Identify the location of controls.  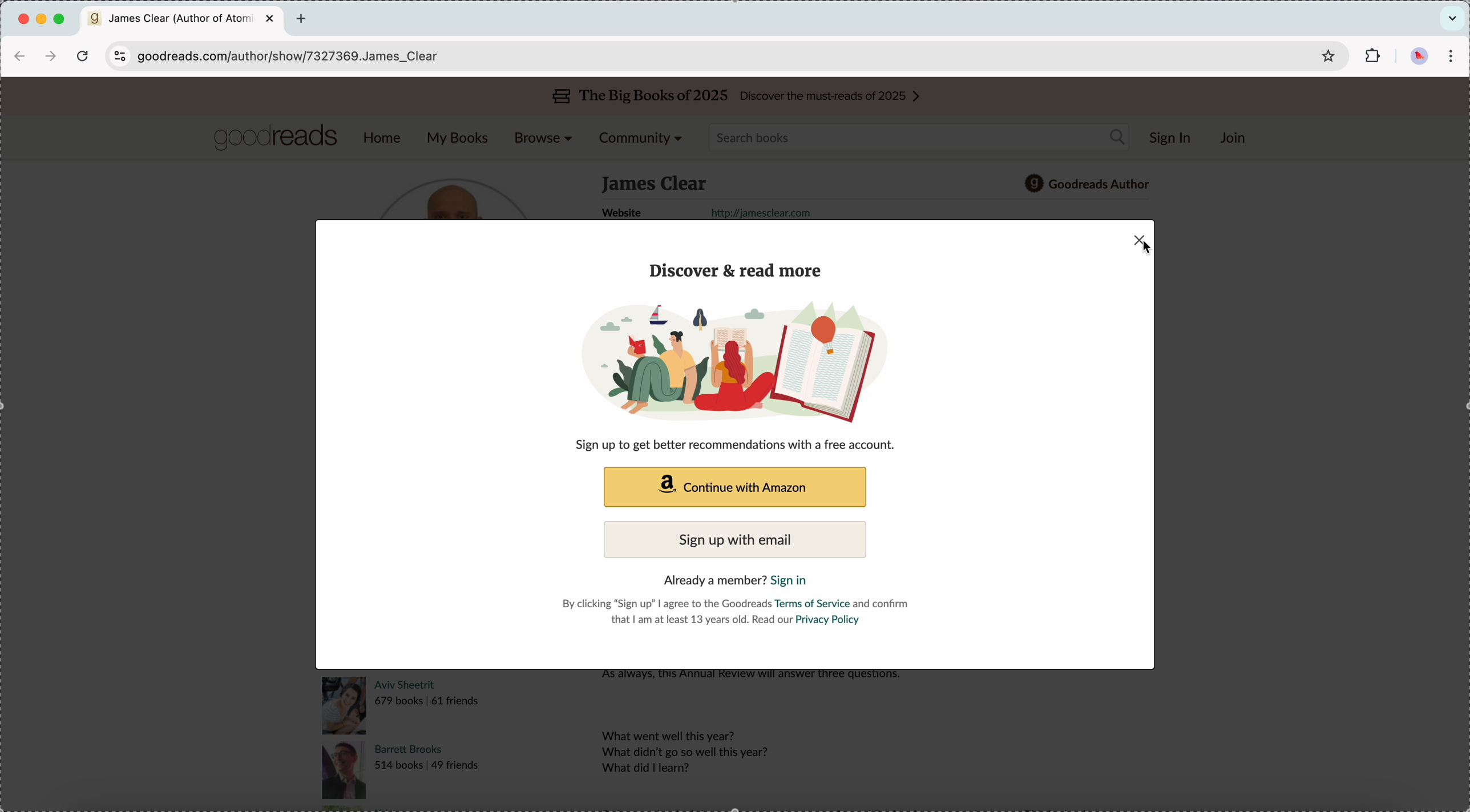
(118, 56).